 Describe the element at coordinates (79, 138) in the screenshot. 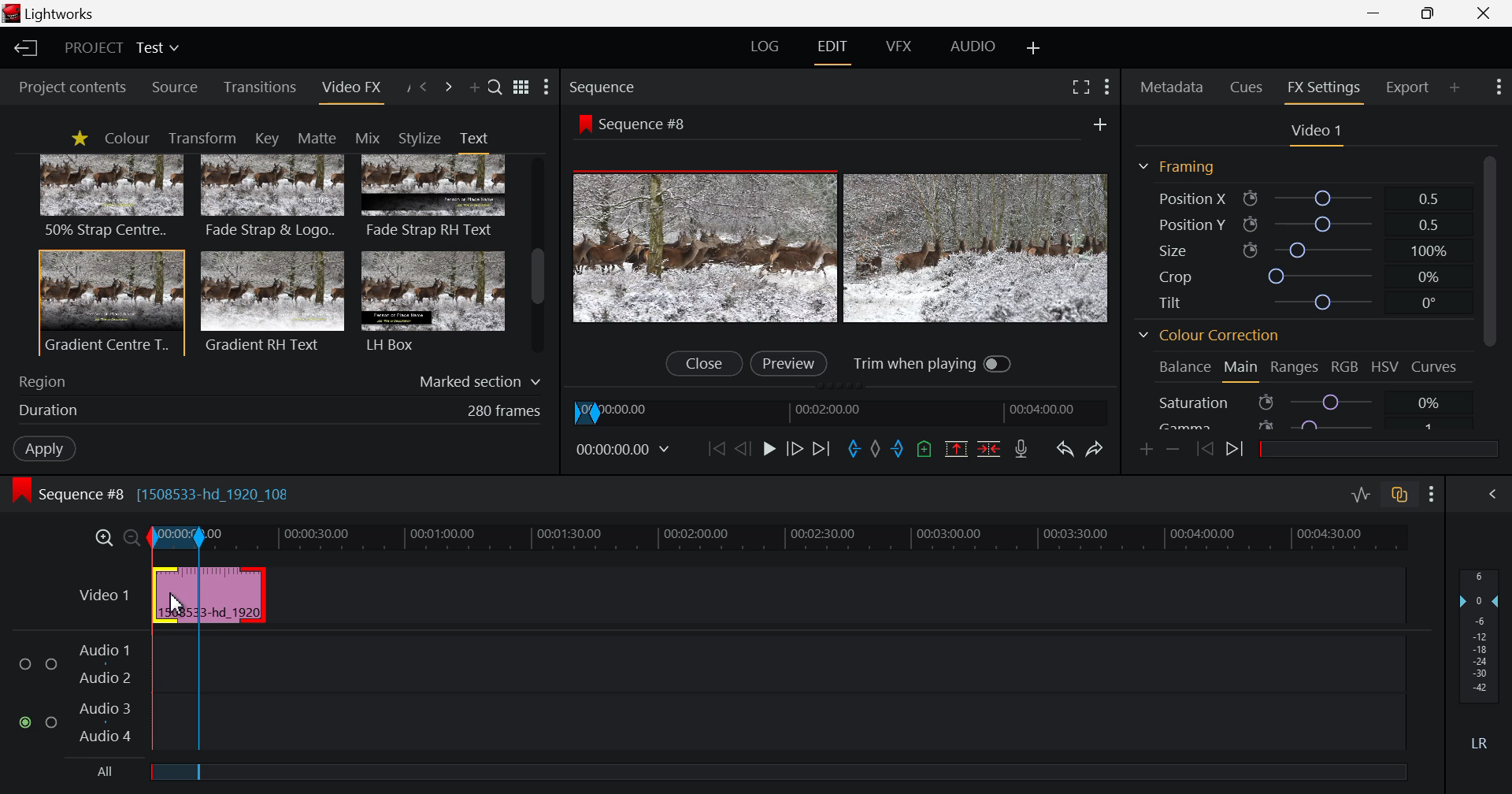

I see `Favorites` at that location.